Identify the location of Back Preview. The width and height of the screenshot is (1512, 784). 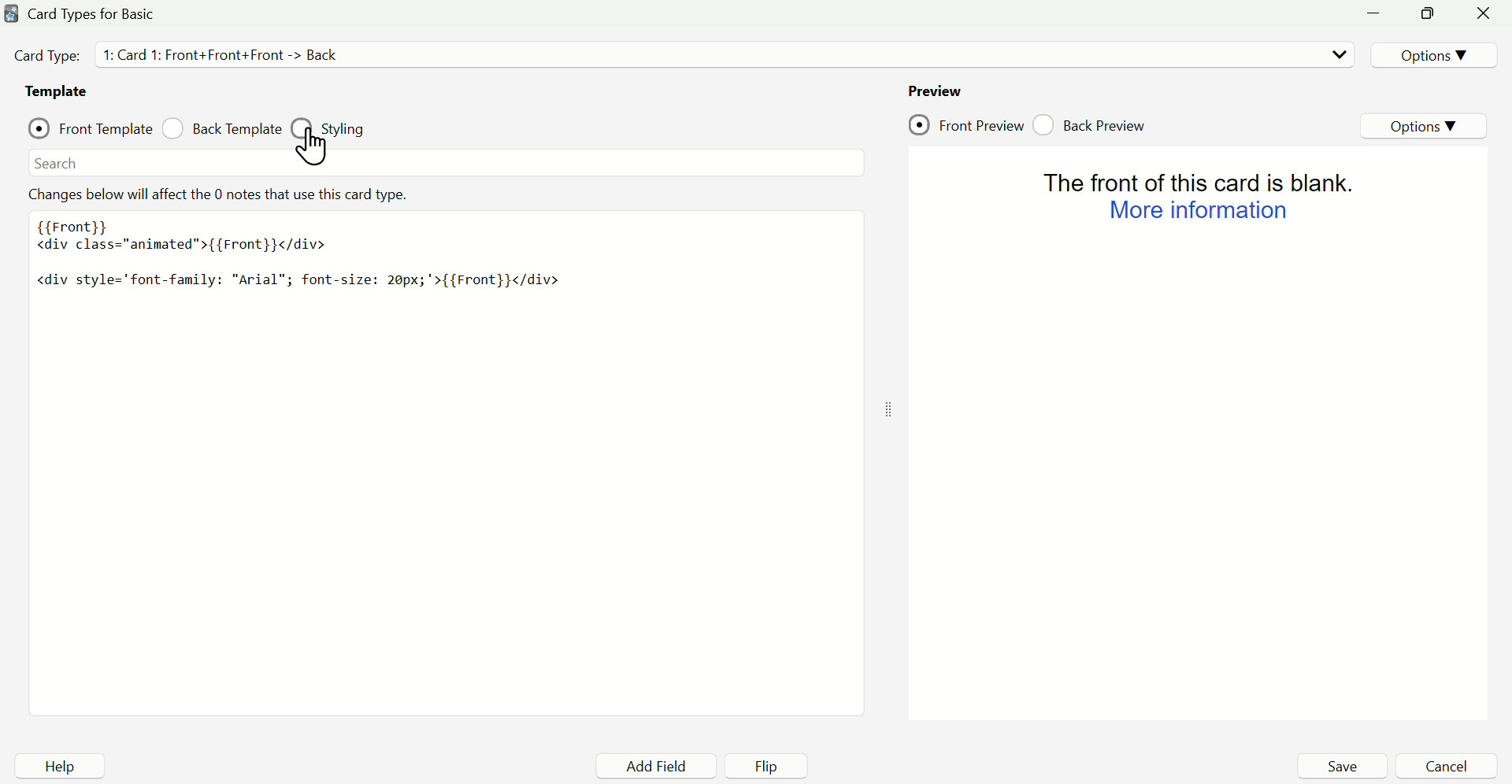
(1097, 122).